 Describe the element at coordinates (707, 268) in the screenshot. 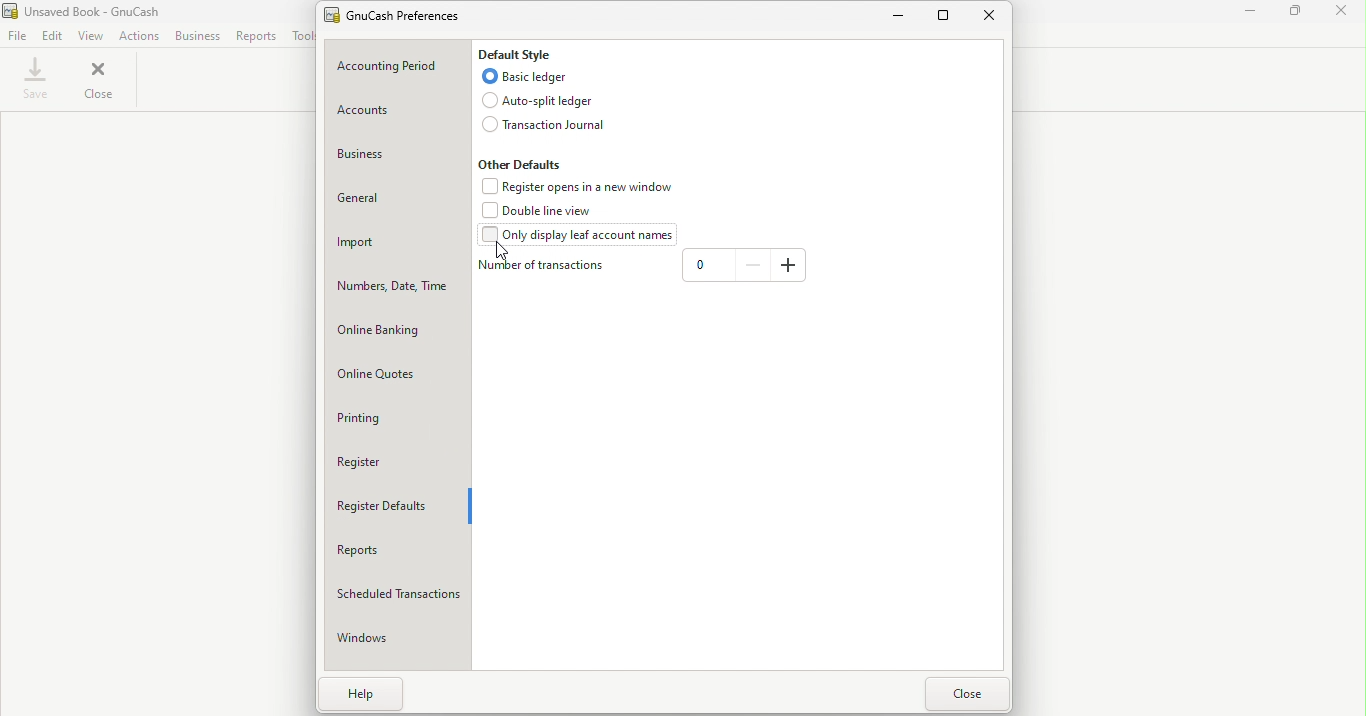

I see `Enter number` at that location.